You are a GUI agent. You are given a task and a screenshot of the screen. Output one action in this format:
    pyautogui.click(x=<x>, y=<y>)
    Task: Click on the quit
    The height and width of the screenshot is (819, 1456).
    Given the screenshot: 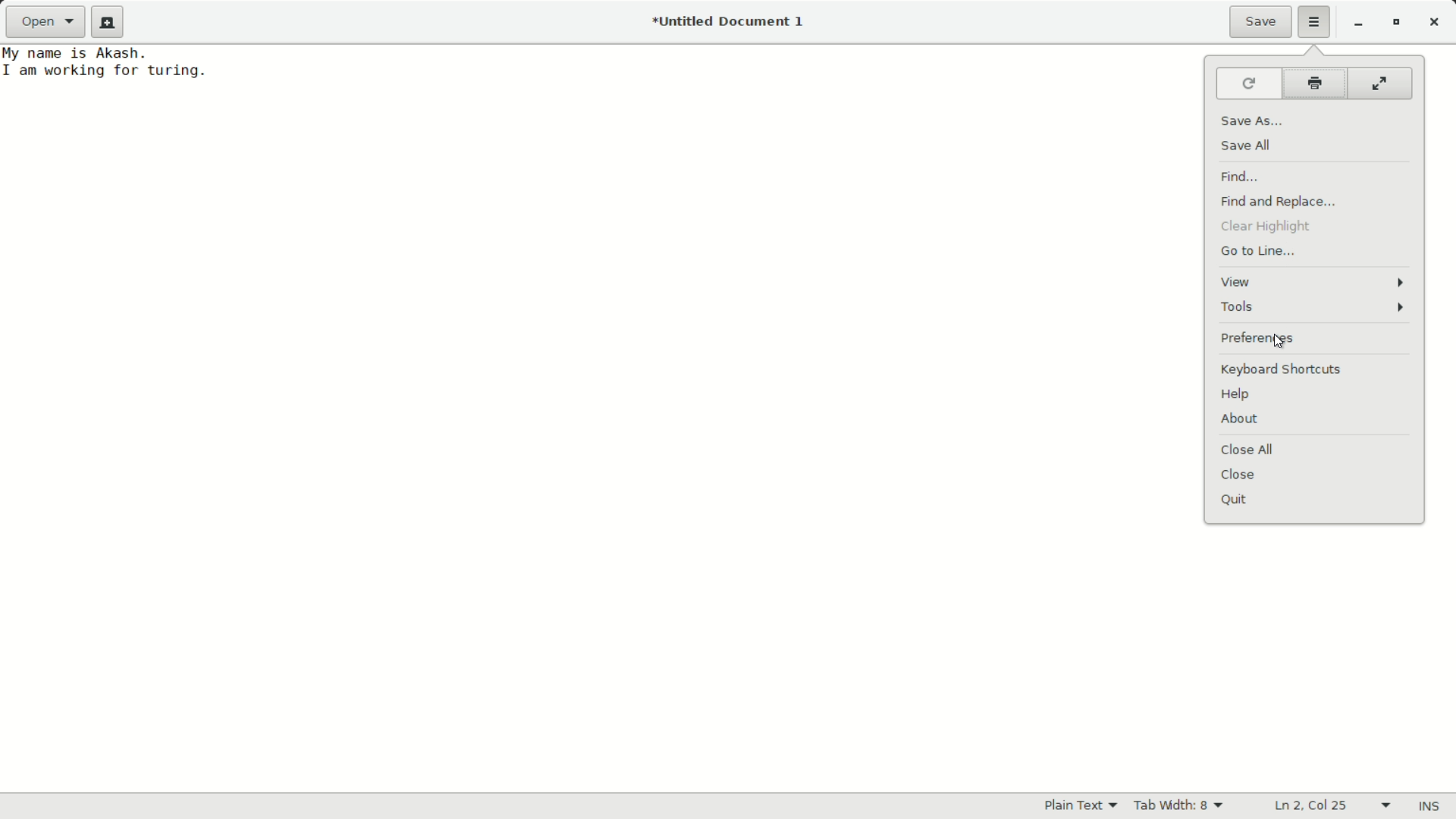 What is the action you would take?
    pyautogui.click(x=1234, y=500)
    